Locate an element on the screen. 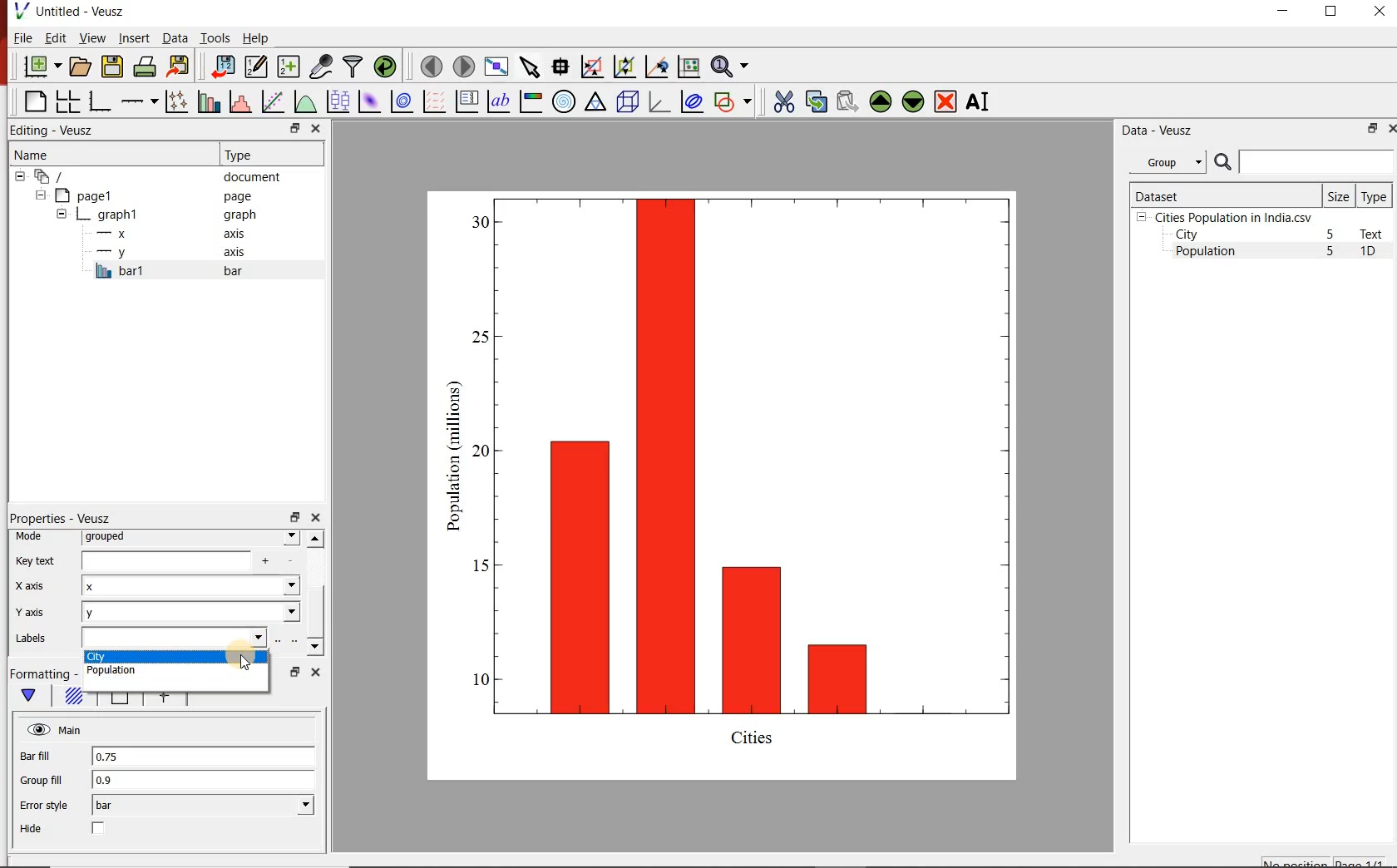  Ternary graph is located at coordinates (595, 102).